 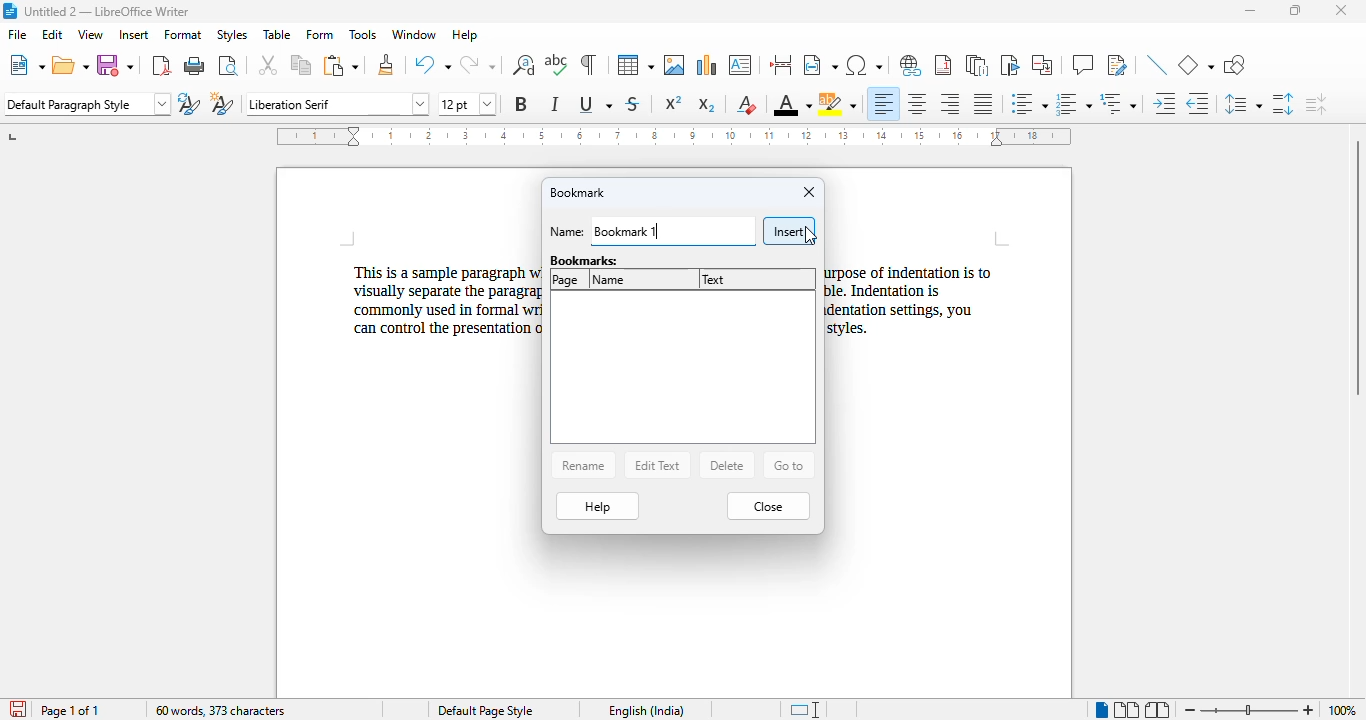 What do you see at coordinates (983, 104) in the screenshot?
I see `justified` at bounding box center [983, 104].